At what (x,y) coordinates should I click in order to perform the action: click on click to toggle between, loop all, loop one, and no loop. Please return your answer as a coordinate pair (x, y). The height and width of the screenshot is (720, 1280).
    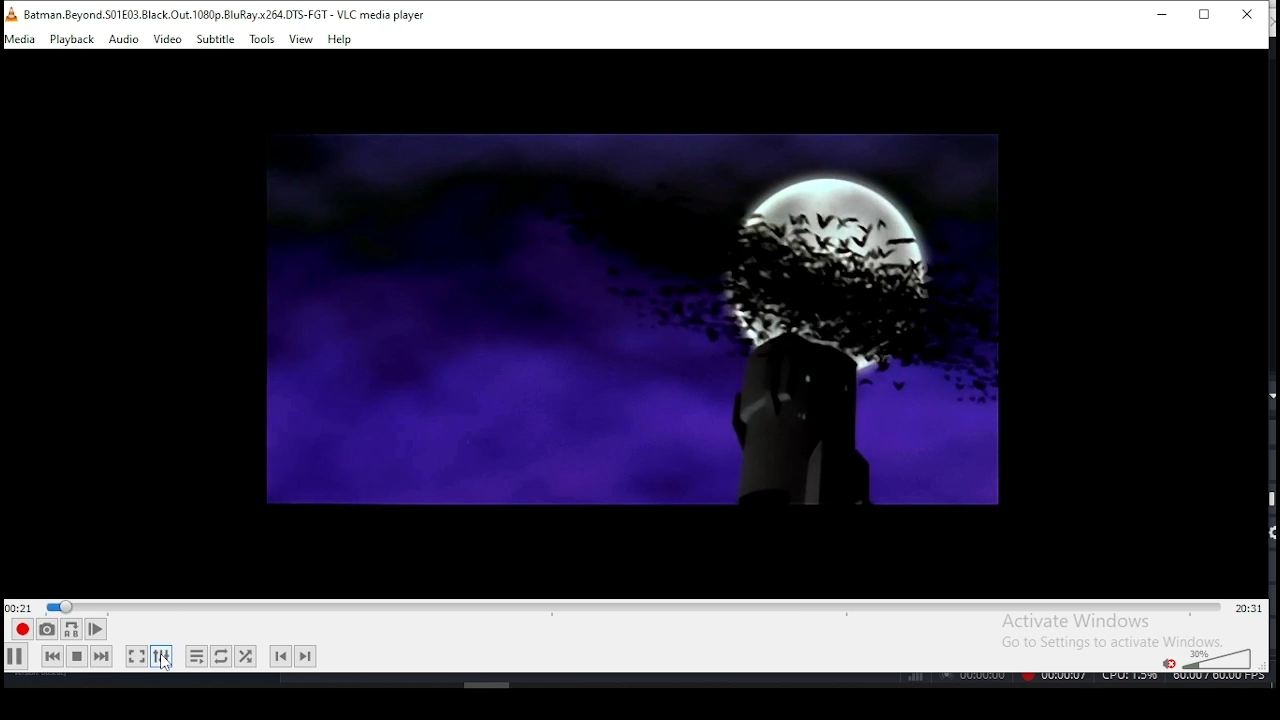
    Looking at the image, I should click on (219, 657).